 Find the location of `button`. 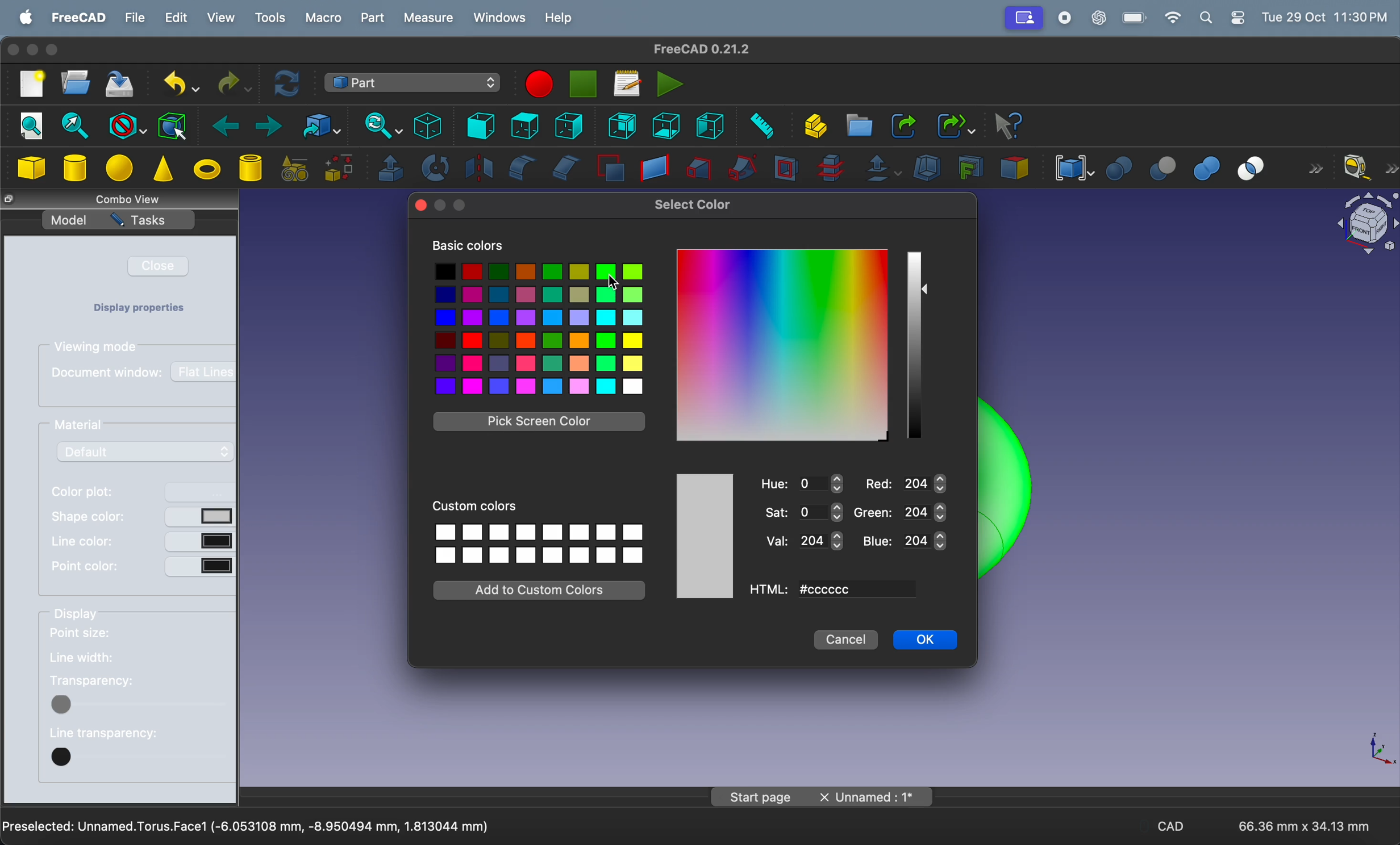

button is located at coordinates (201, 542).